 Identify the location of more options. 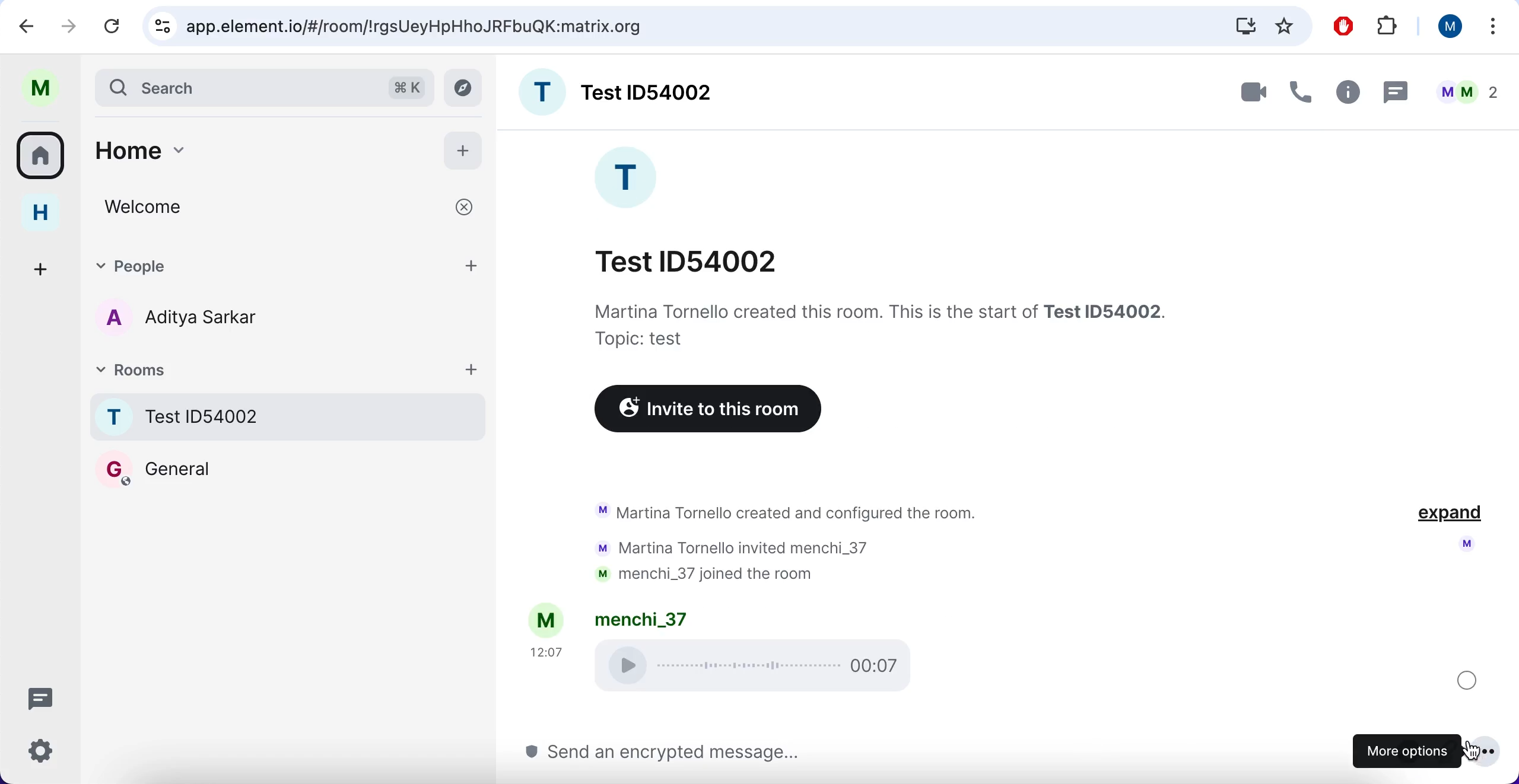
(1406, 751).